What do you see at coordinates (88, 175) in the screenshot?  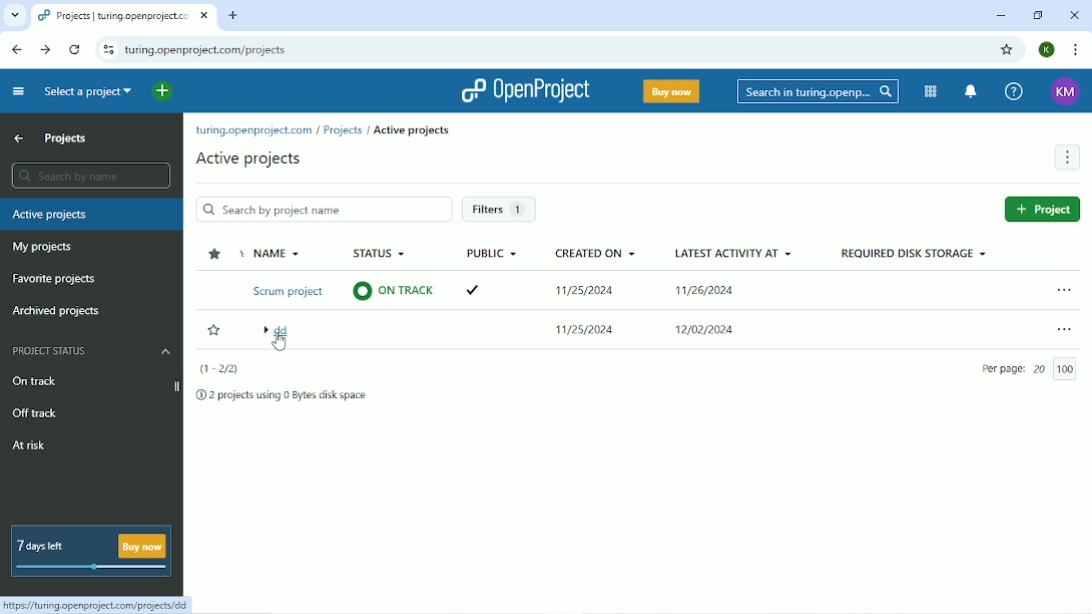 I see `Search by name` at bounding box center [88, 175].